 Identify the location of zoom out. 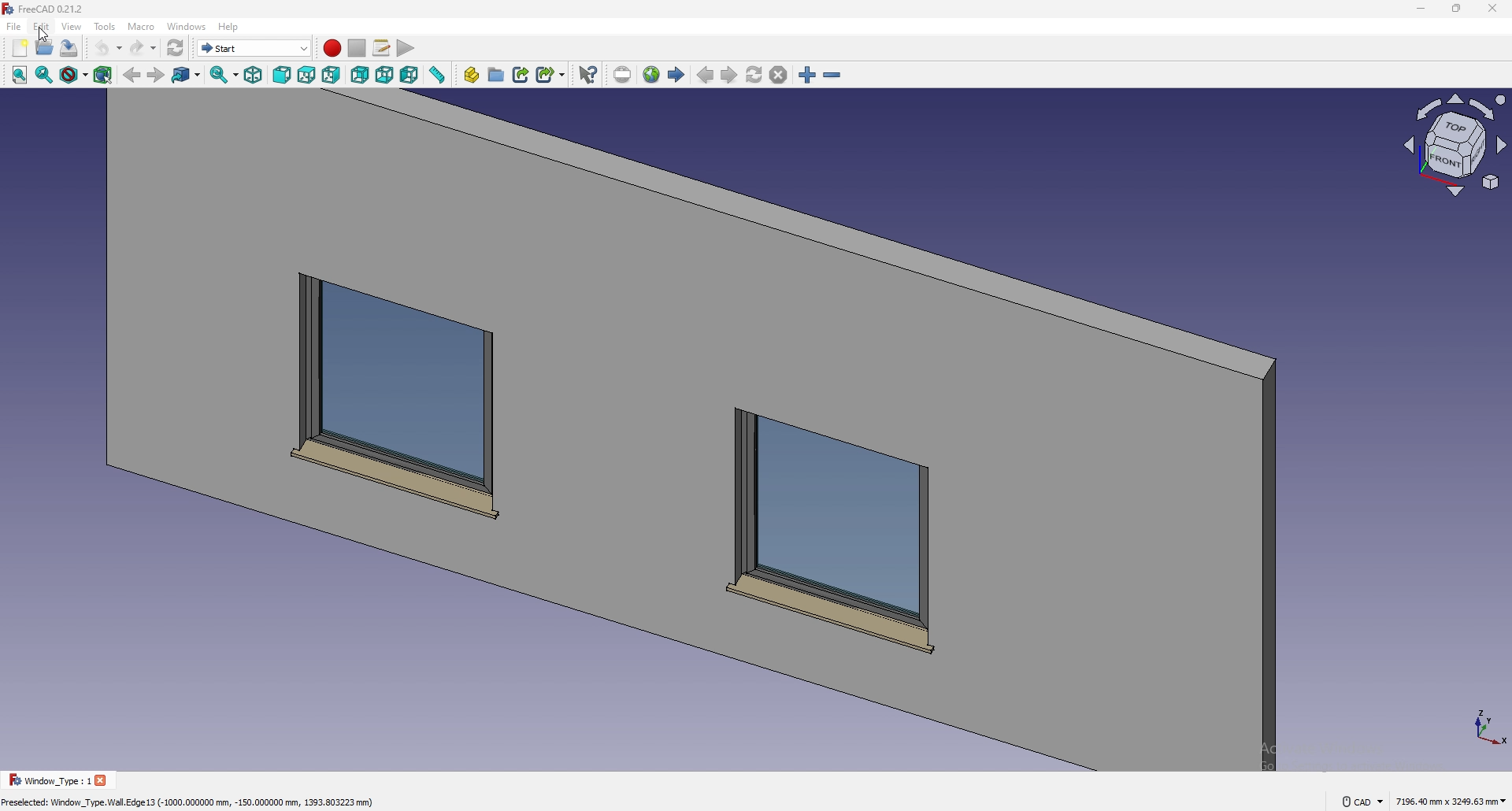
(832, 76).